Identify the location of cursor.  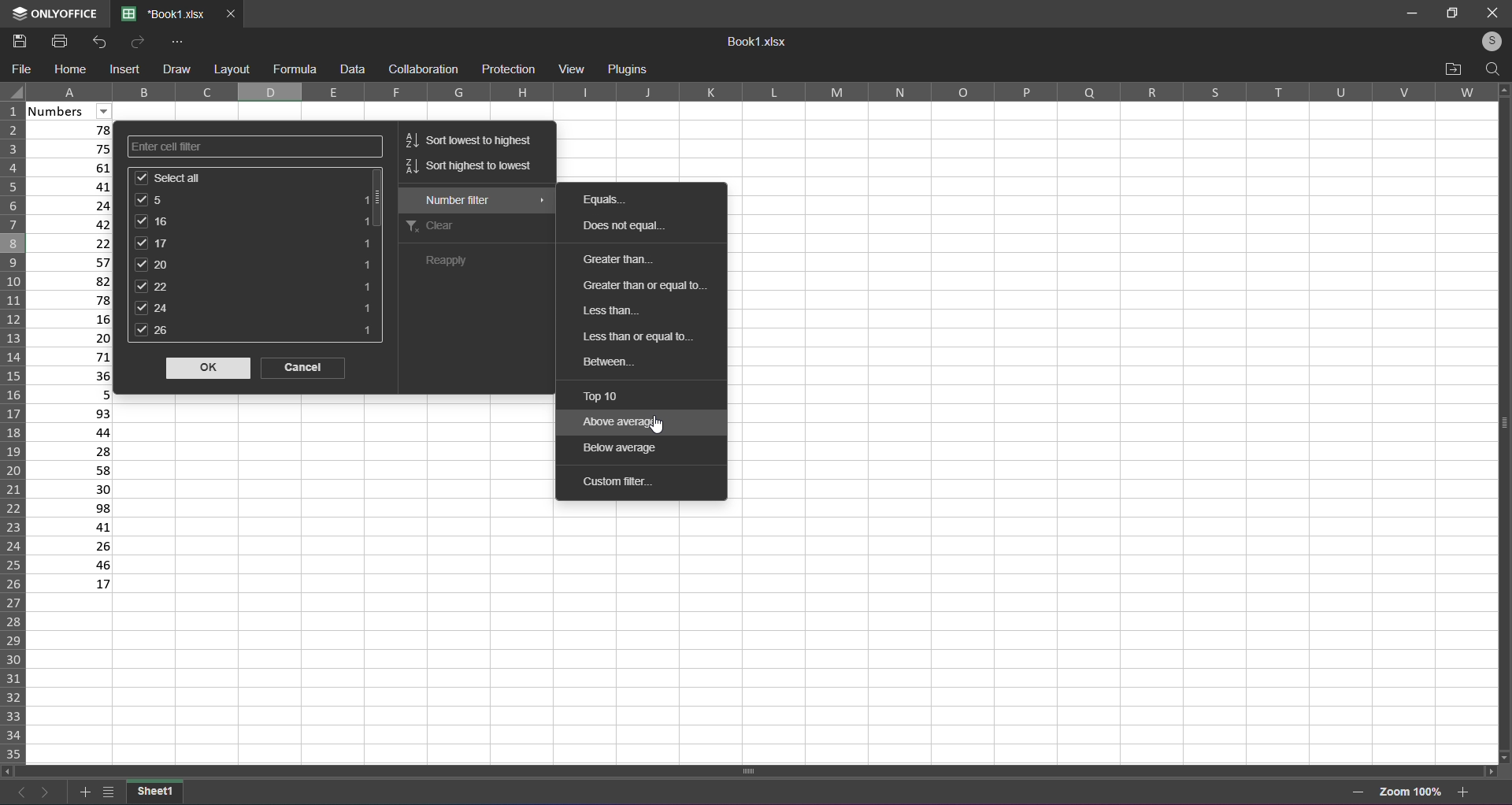
(659, 425).